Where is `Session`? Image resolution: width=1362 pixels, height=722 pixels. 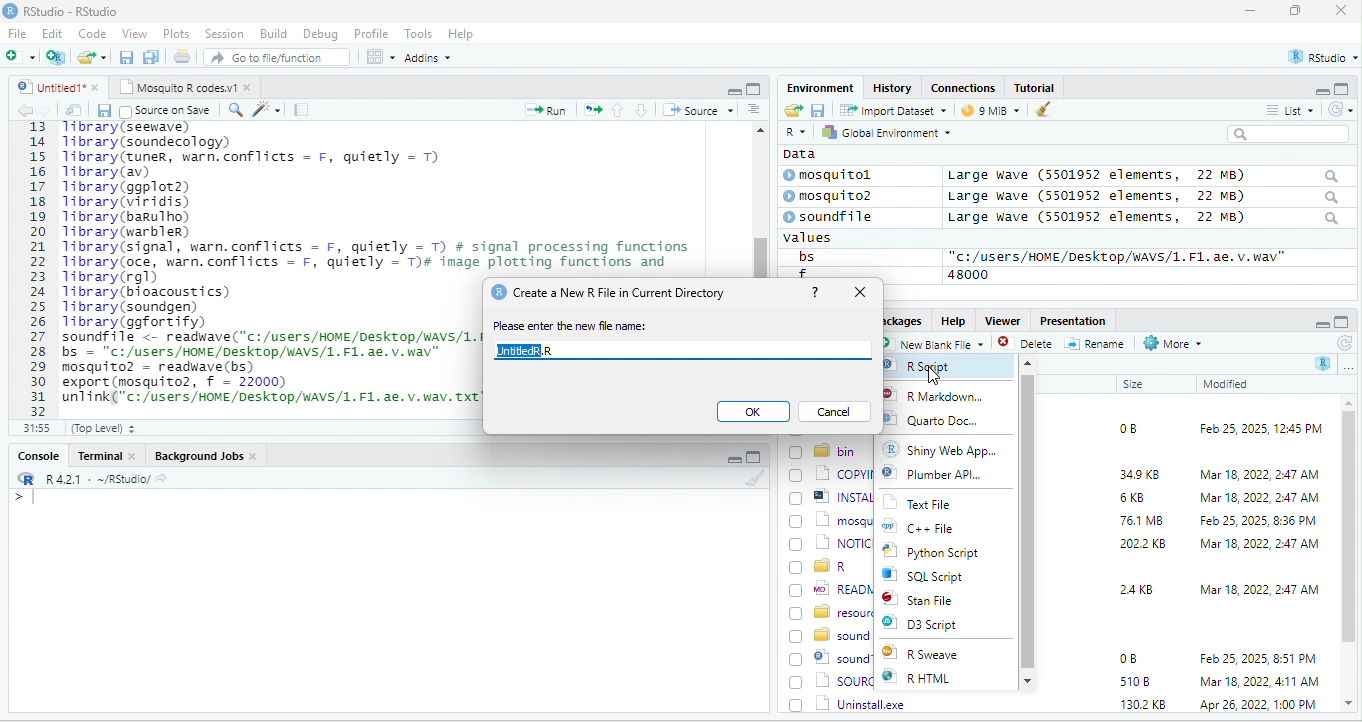 Session is located at coordinates (225, 32).